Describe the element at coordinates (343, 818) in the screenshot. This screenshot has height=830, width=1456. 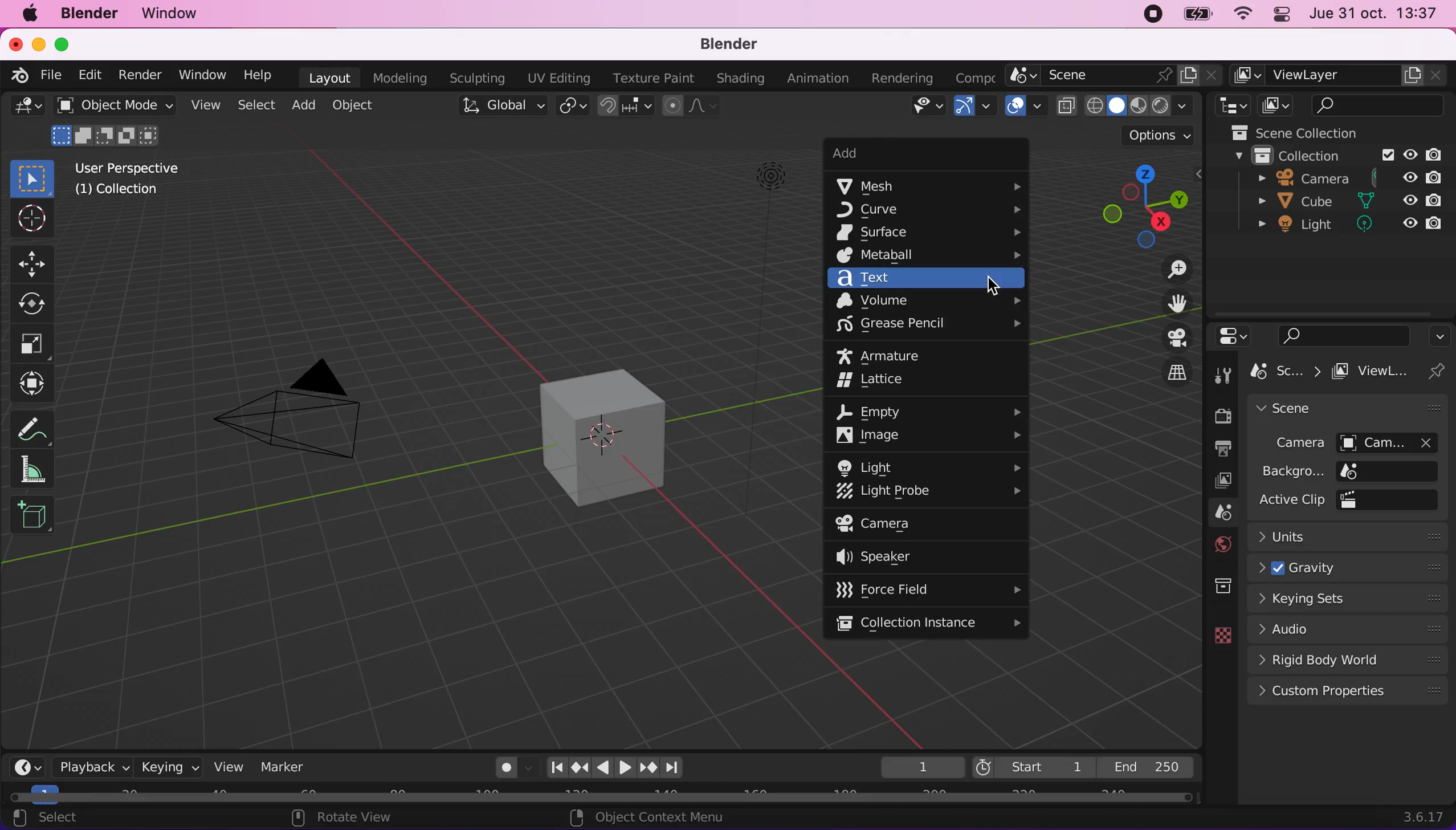
I see `rotate view` at that location.